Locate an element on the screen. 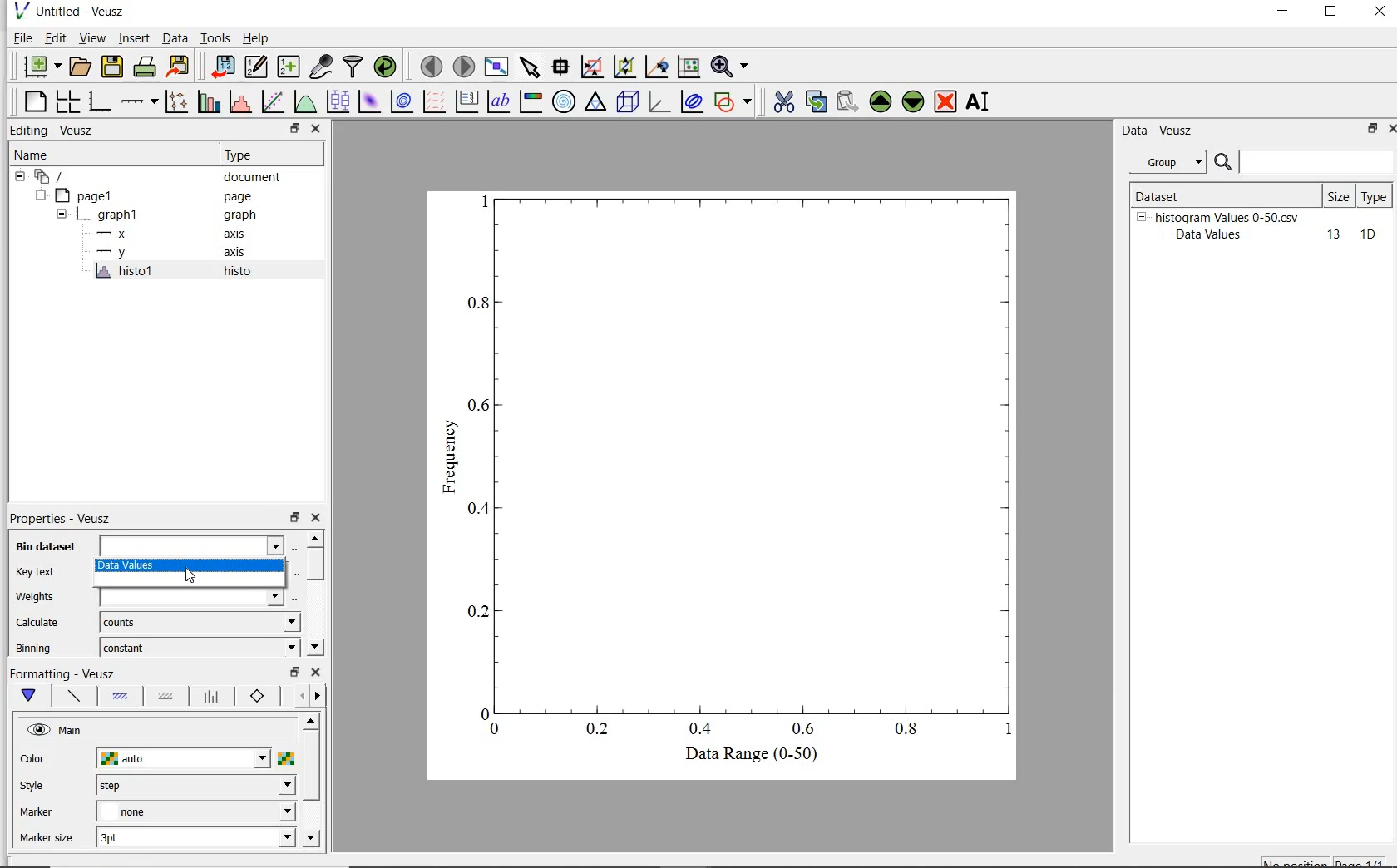 Image resolution: width=1397 pixels, height=868 pixels. Data is located at coordinates (175, 37).